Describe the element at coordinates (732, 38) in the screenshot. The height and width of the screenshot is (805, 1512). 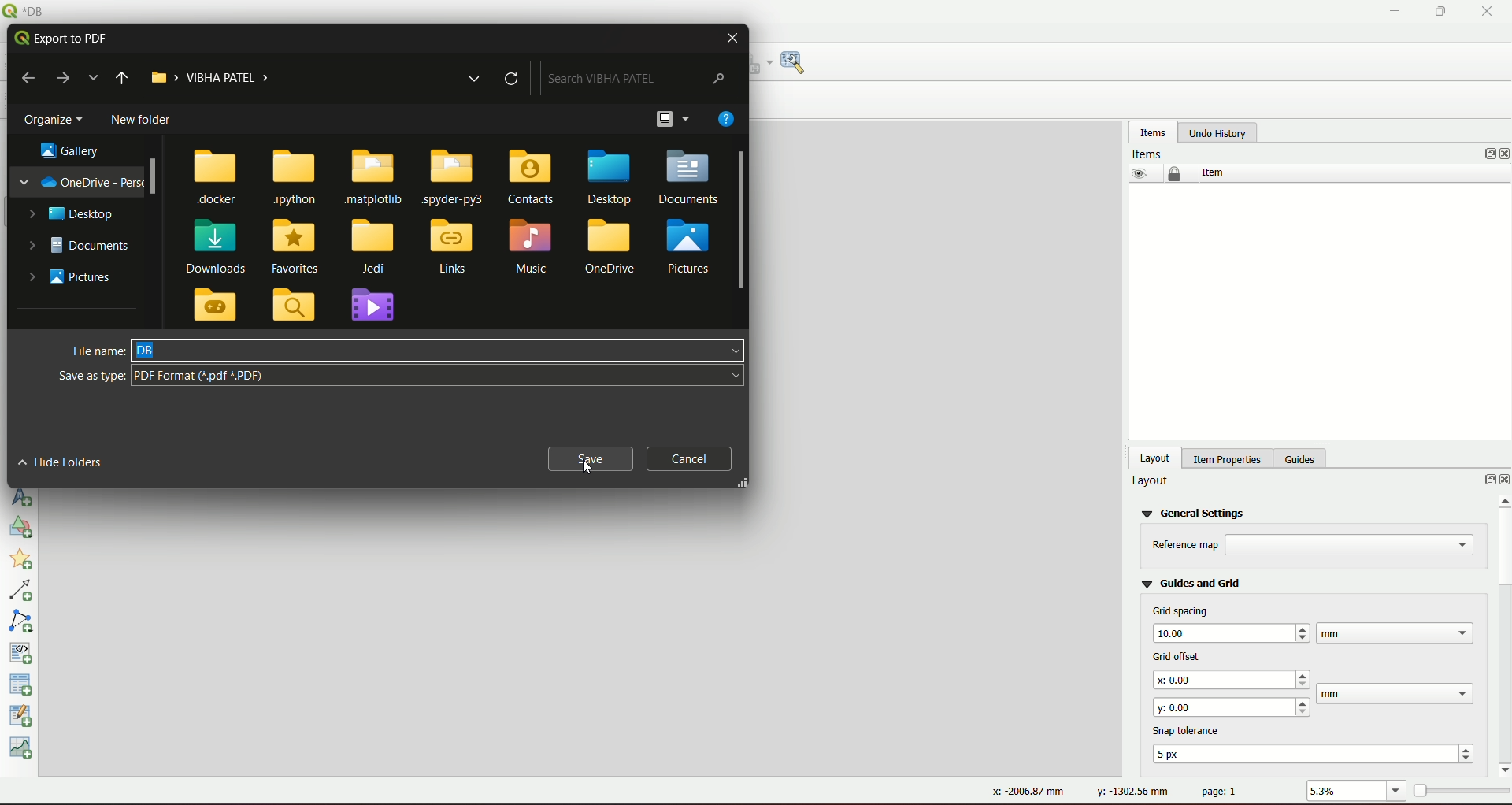
I see `close` at that location.